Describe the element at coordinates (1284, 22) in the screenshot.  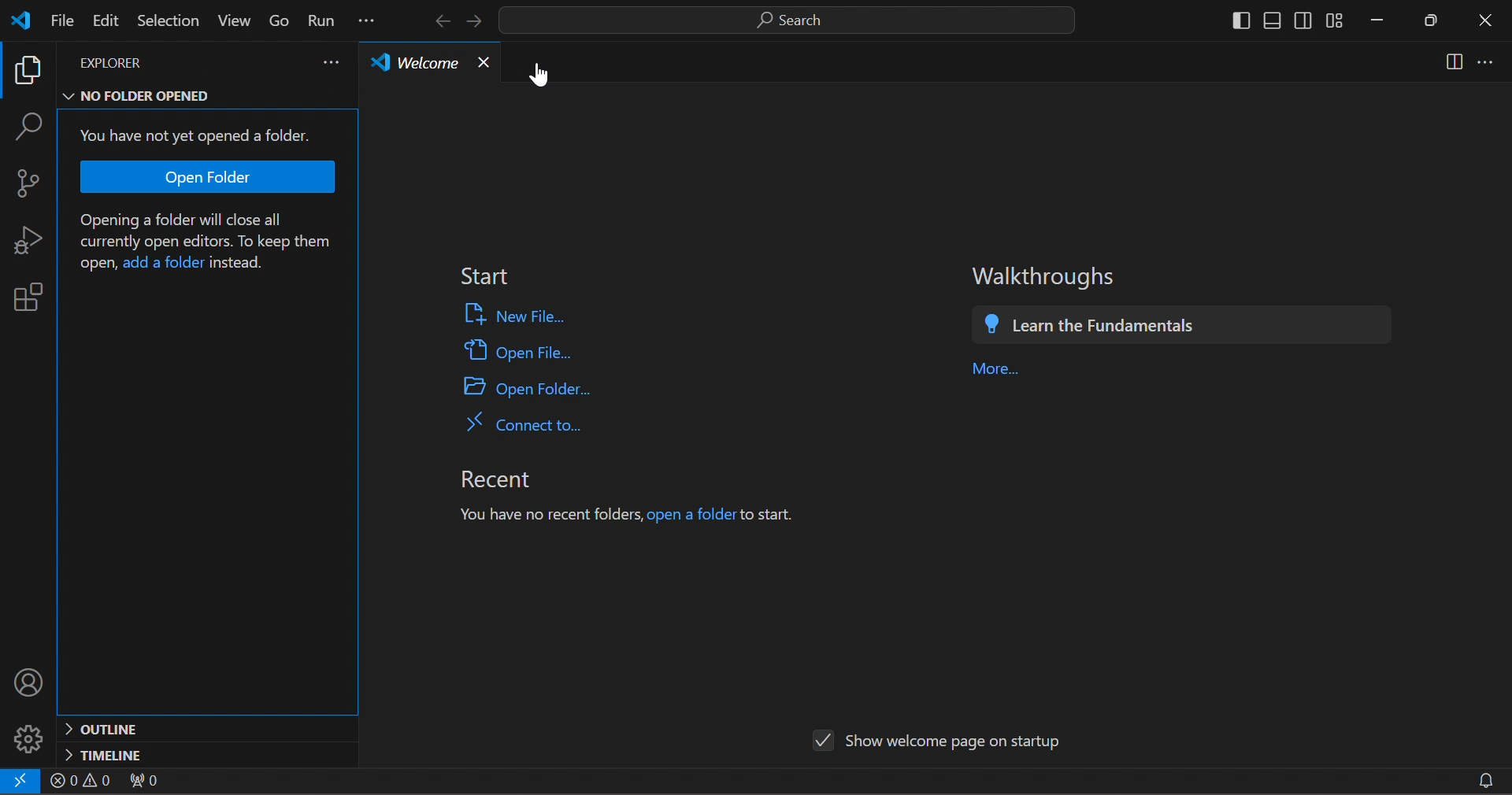
I see `shift` at that location.